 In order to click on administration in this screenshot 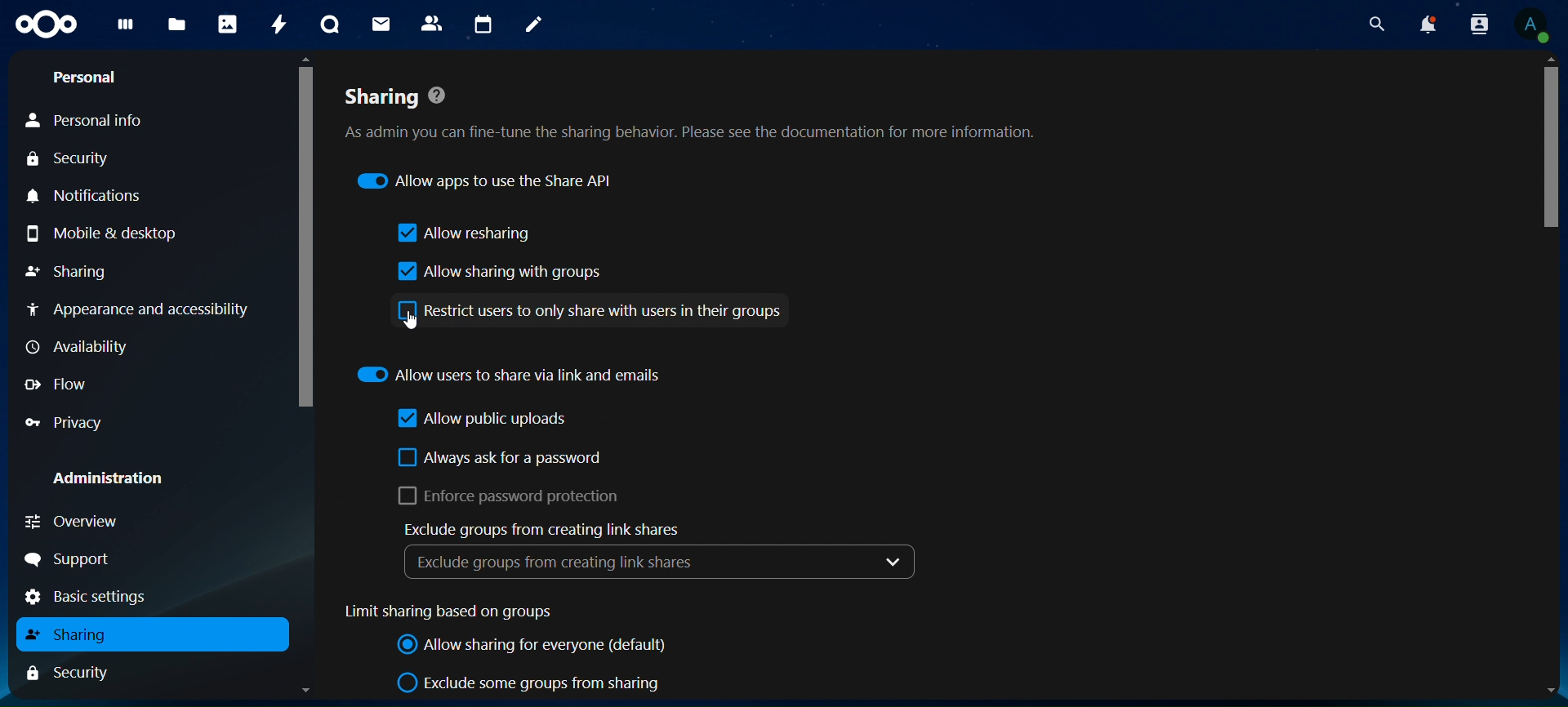, I will do `click(106, 478)`.